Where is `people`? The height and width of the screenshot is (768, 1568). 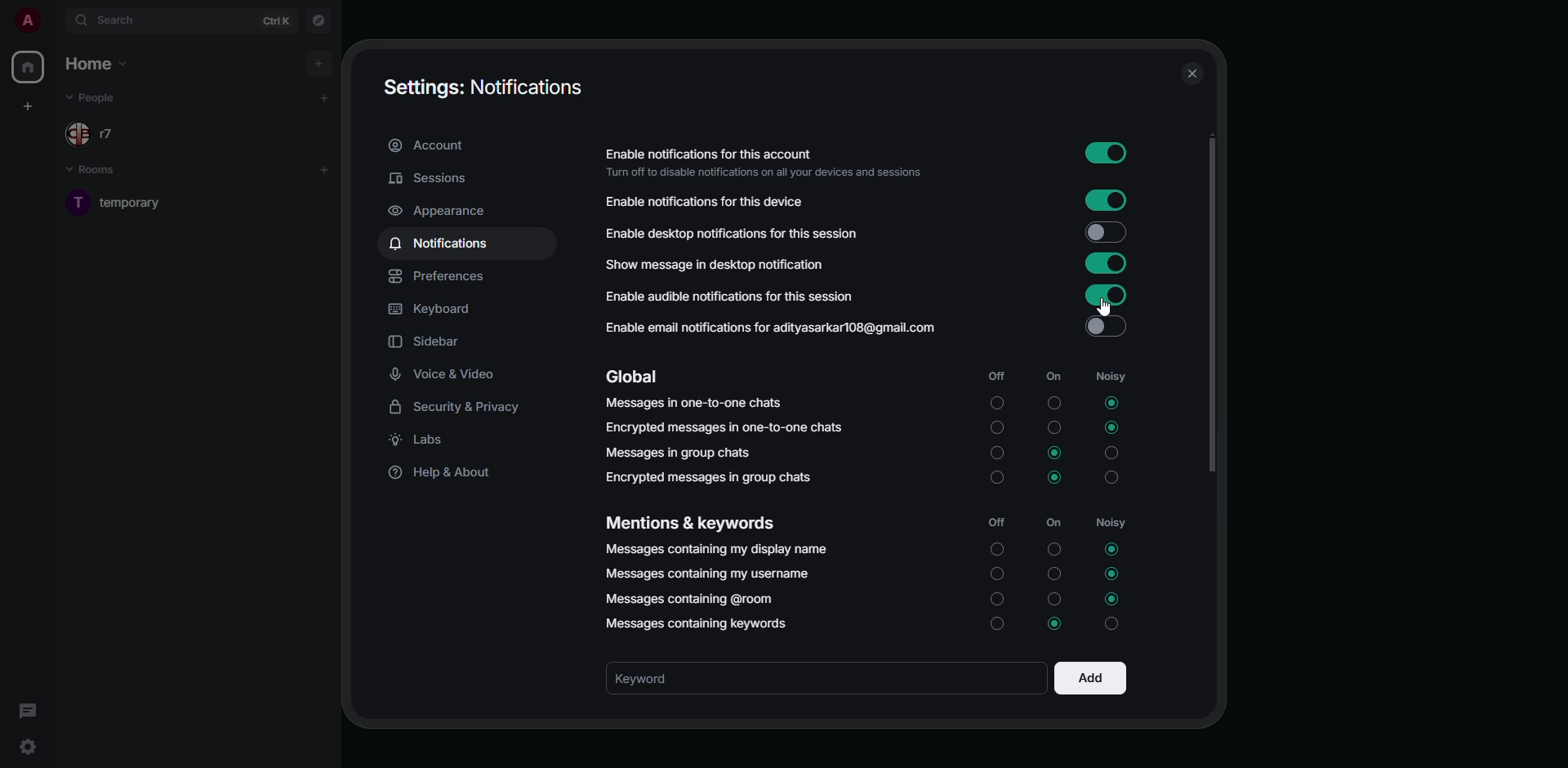
people is located at coordinates (95, 136).